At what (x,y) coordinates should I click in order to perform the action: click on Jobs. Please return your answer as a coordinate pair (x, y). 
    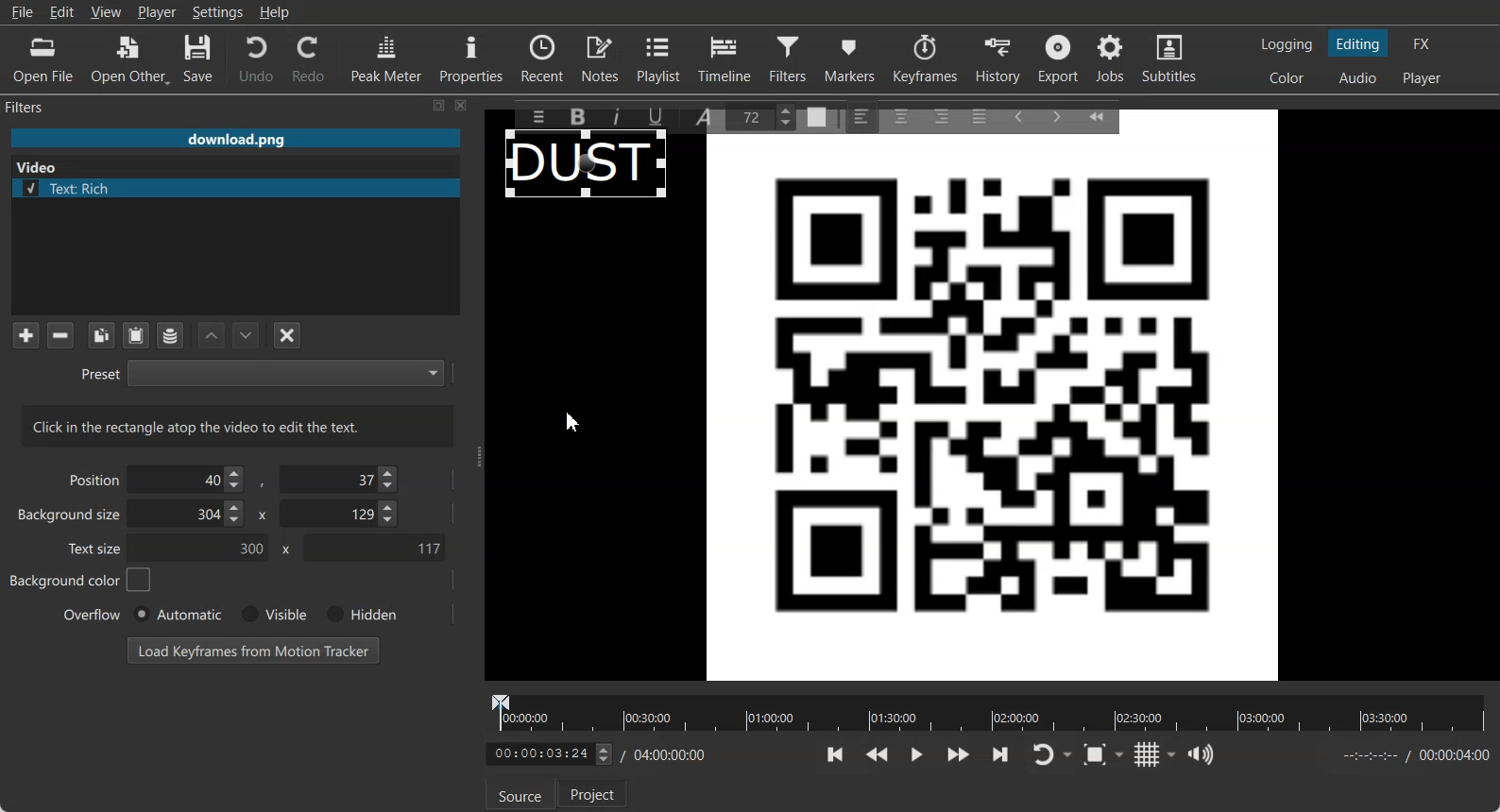
    Looking at the image, I should click on (1112, 59).